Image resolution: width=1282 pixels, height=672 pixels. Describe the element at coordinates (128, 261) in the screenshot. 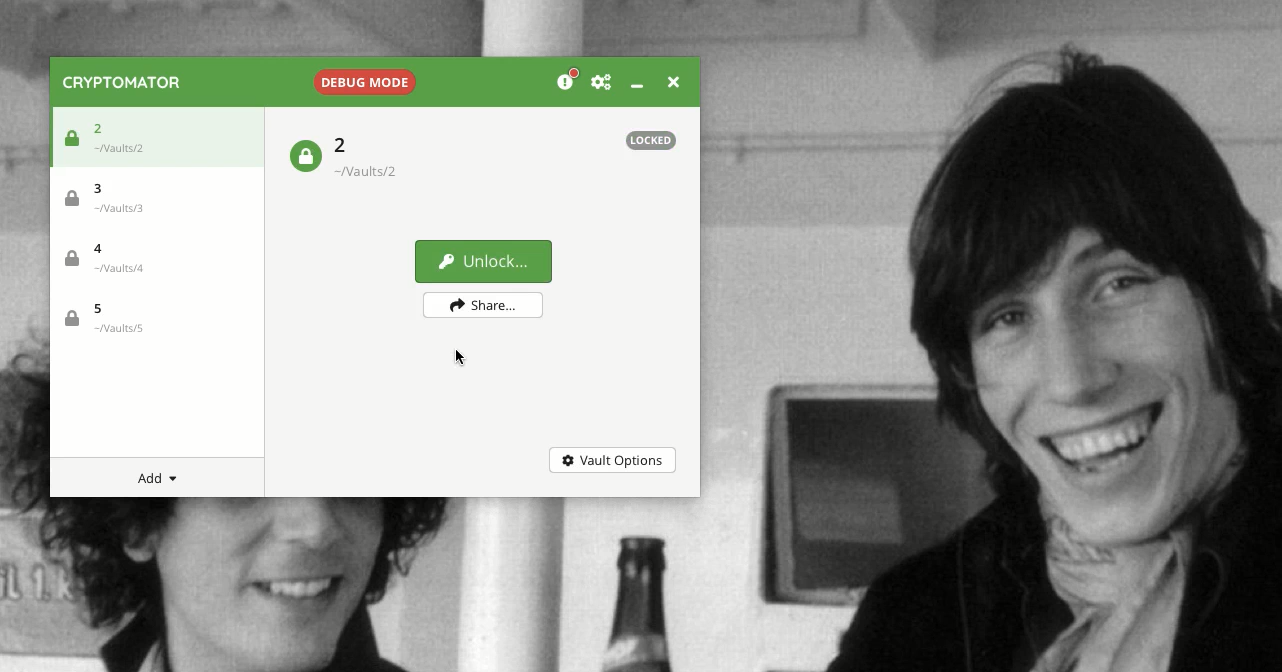

I see `Vault 4` at that location.